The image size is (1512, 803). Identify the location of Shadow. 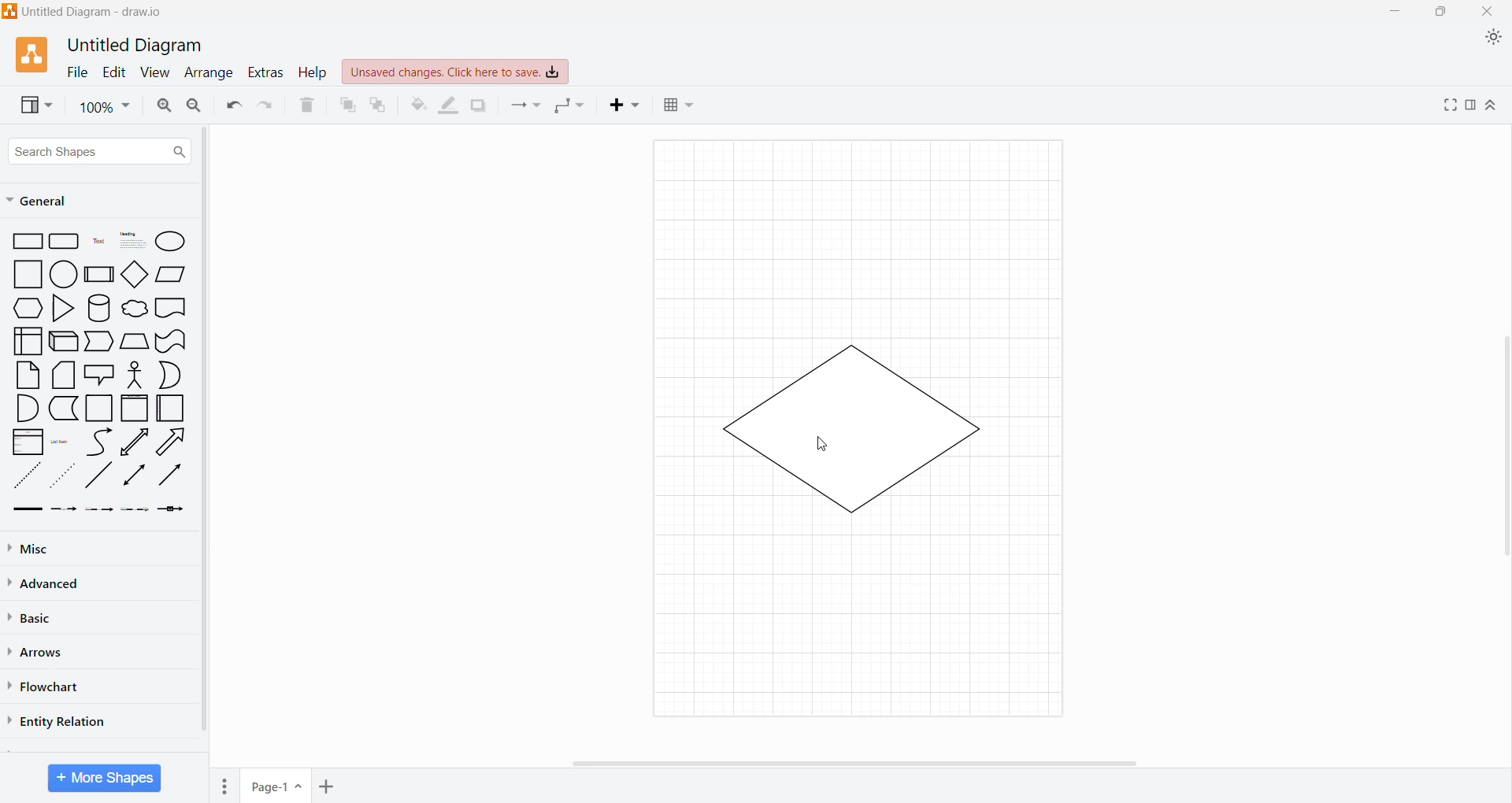
(479, 105).